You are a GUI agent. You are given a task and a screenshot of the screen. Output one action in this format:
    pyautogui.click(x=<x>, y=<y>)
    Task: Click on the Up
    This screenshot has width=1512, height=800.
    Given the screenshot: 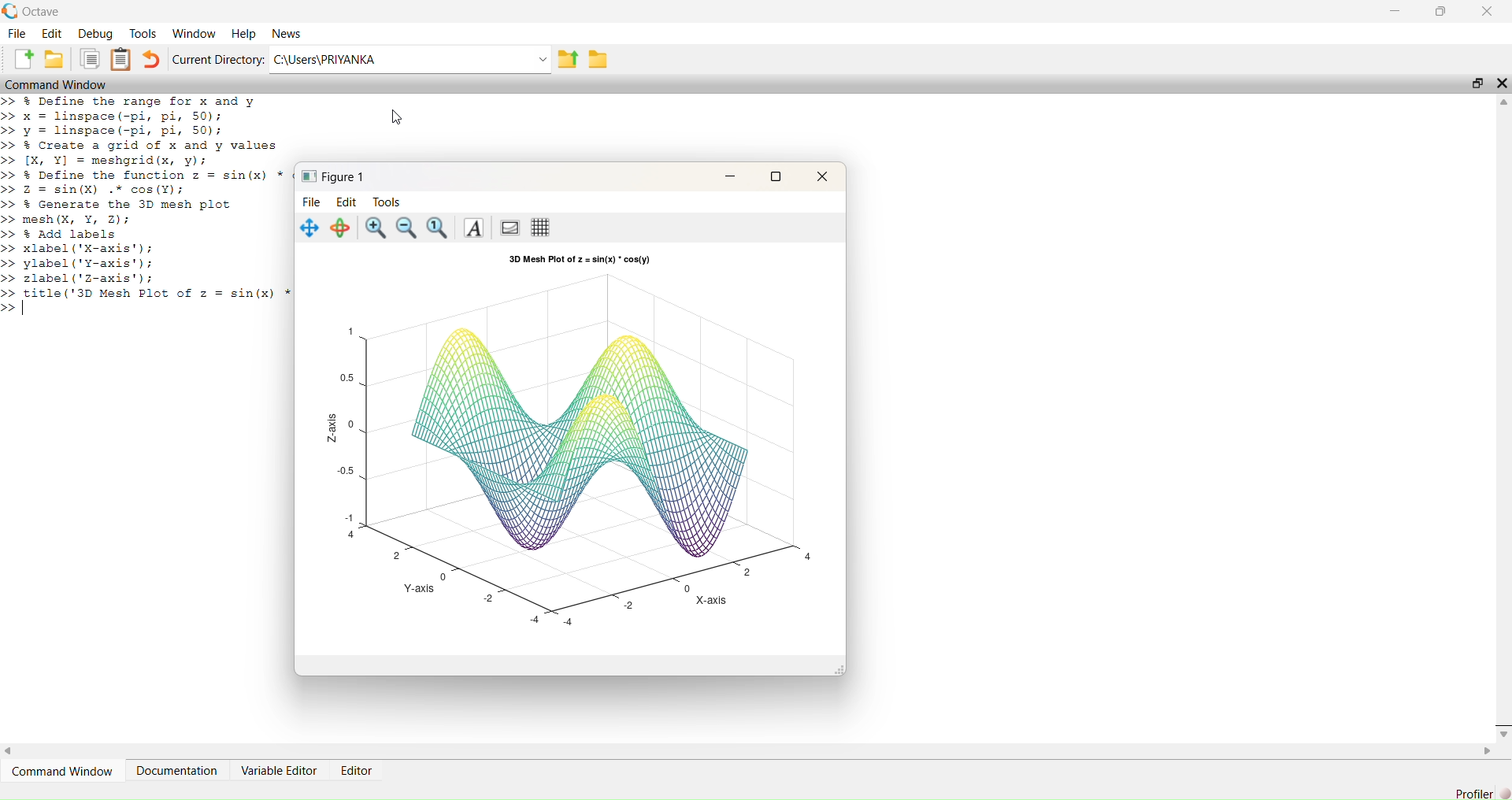 What is the action you would take?
    pyautogui.click(x=1503, y=107)
    